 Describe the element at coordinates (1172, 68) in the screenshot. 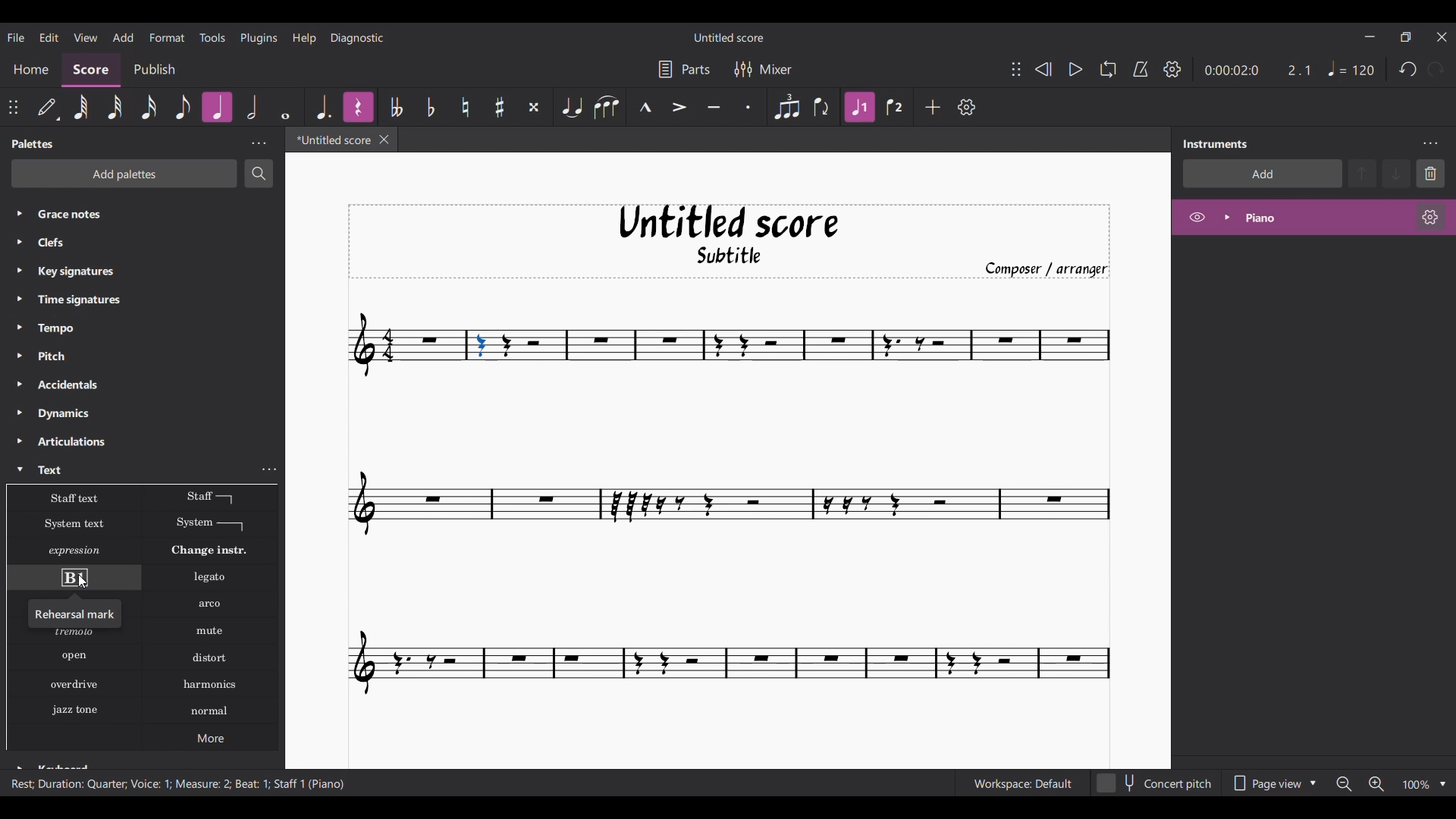

I see `Playback settings` at that location.